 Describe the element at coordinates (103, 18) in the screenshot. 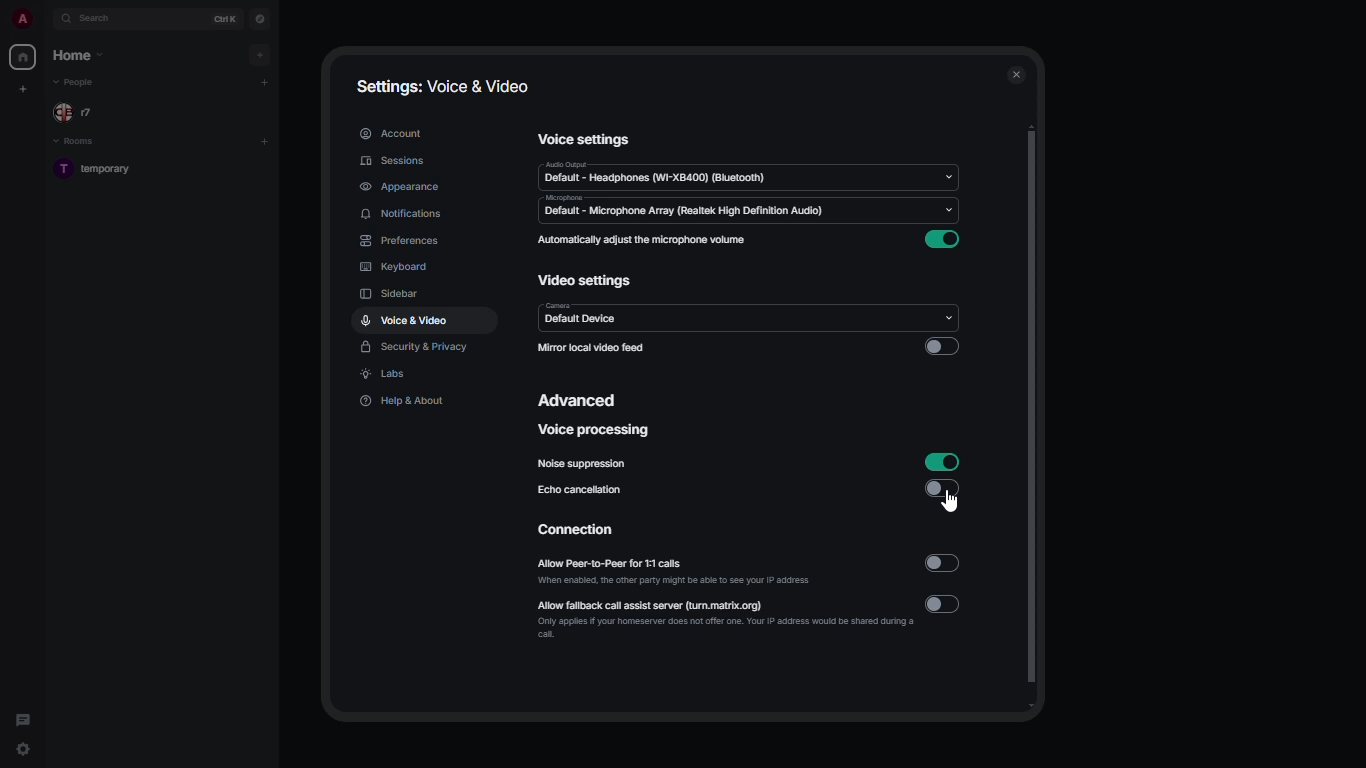

I see `search` at that location.